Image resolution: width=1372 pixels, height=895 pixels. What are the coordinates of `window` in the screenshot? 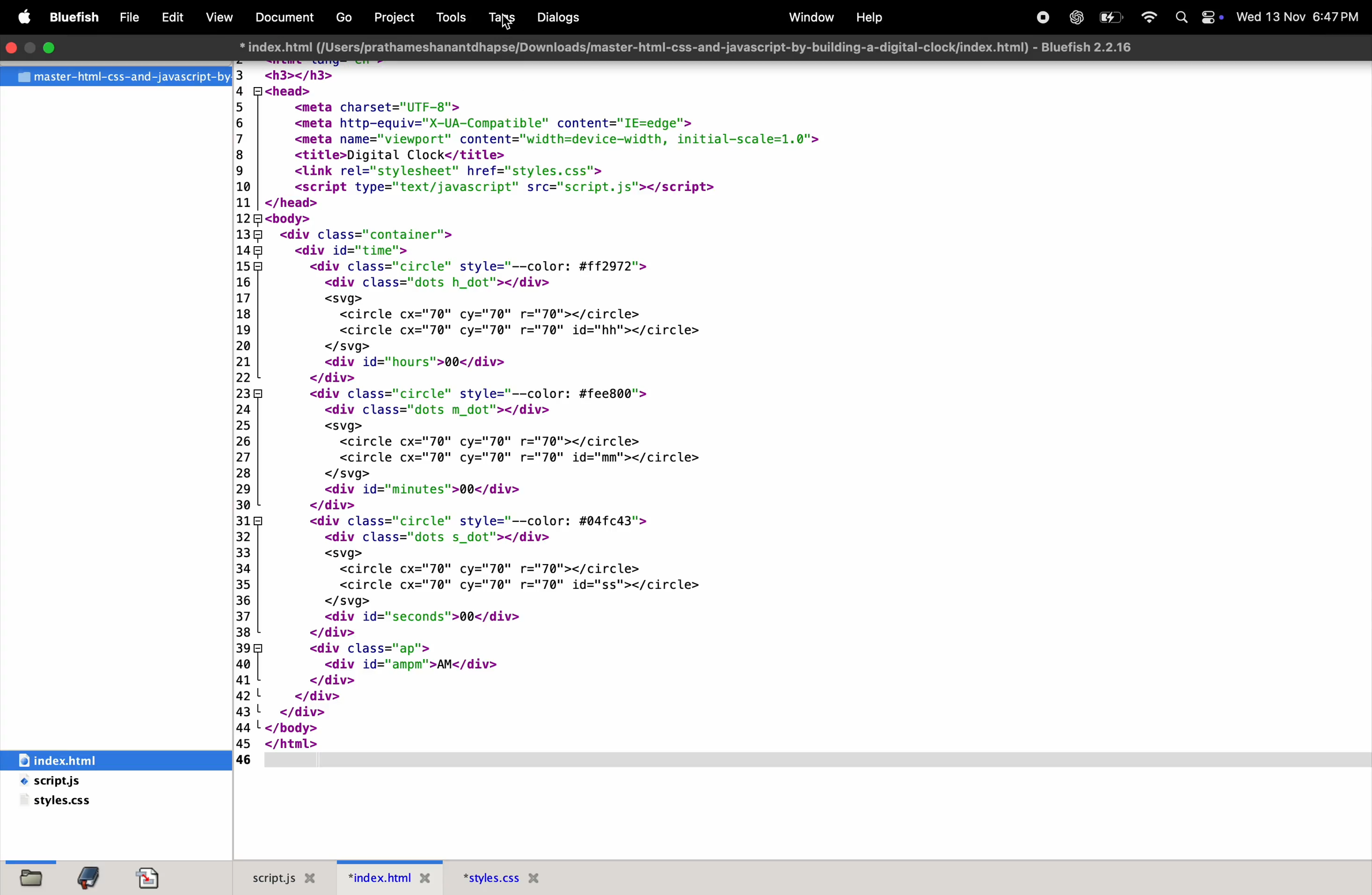 It's located at (808, 18).